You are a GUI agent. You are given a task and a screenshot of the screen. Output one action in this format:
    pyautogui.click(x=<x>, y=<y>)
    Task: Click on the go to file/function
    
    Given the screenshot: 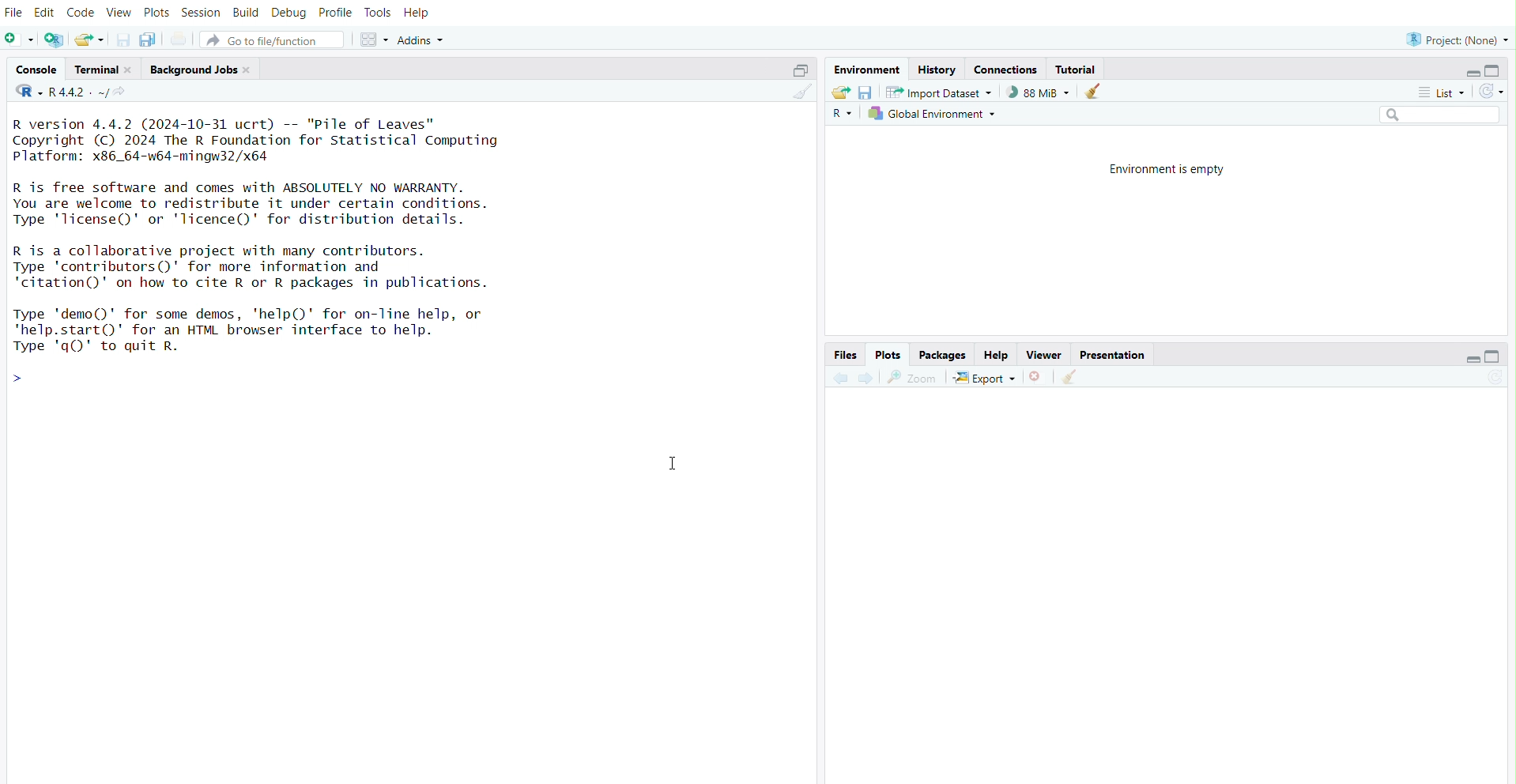 What is the action you would take?
    pyautogui.click(x=273, y=37)
    